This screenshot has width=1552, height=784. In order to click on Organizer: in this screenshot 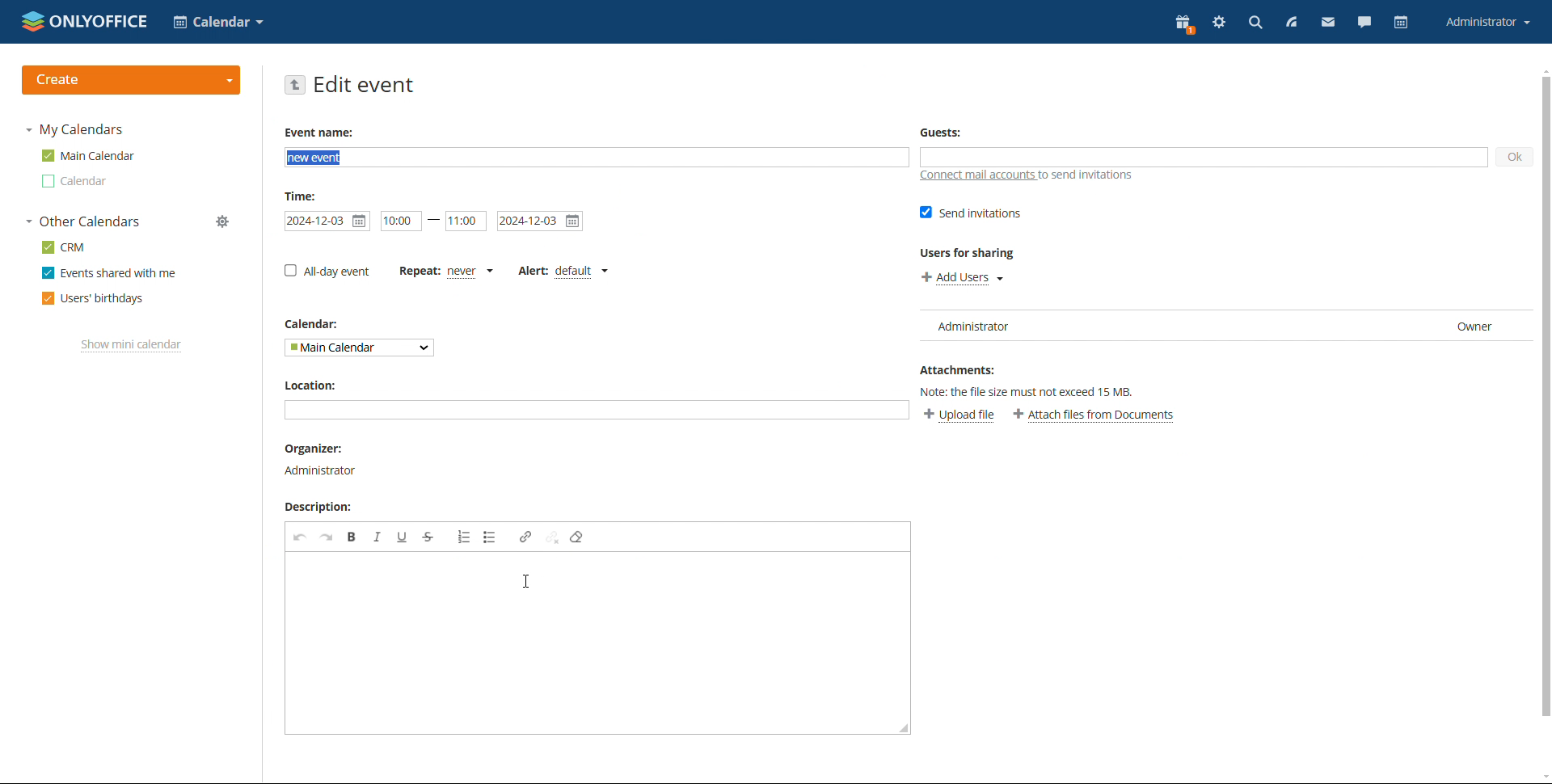, I will do `click(310, 448)`.